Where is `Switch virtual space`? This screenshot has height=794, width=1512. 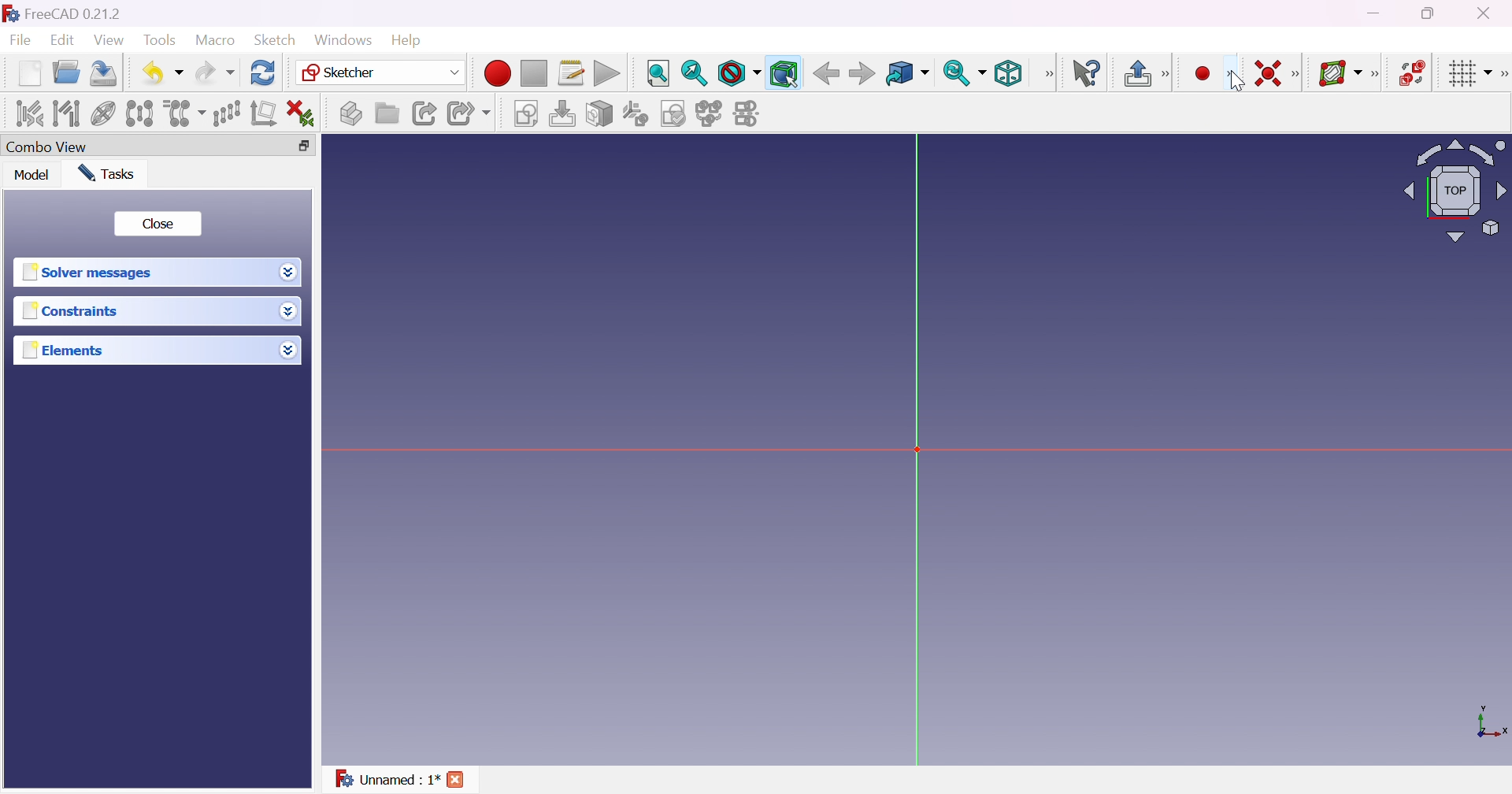 Switch virtual space is located at coordinates (1412, 74).